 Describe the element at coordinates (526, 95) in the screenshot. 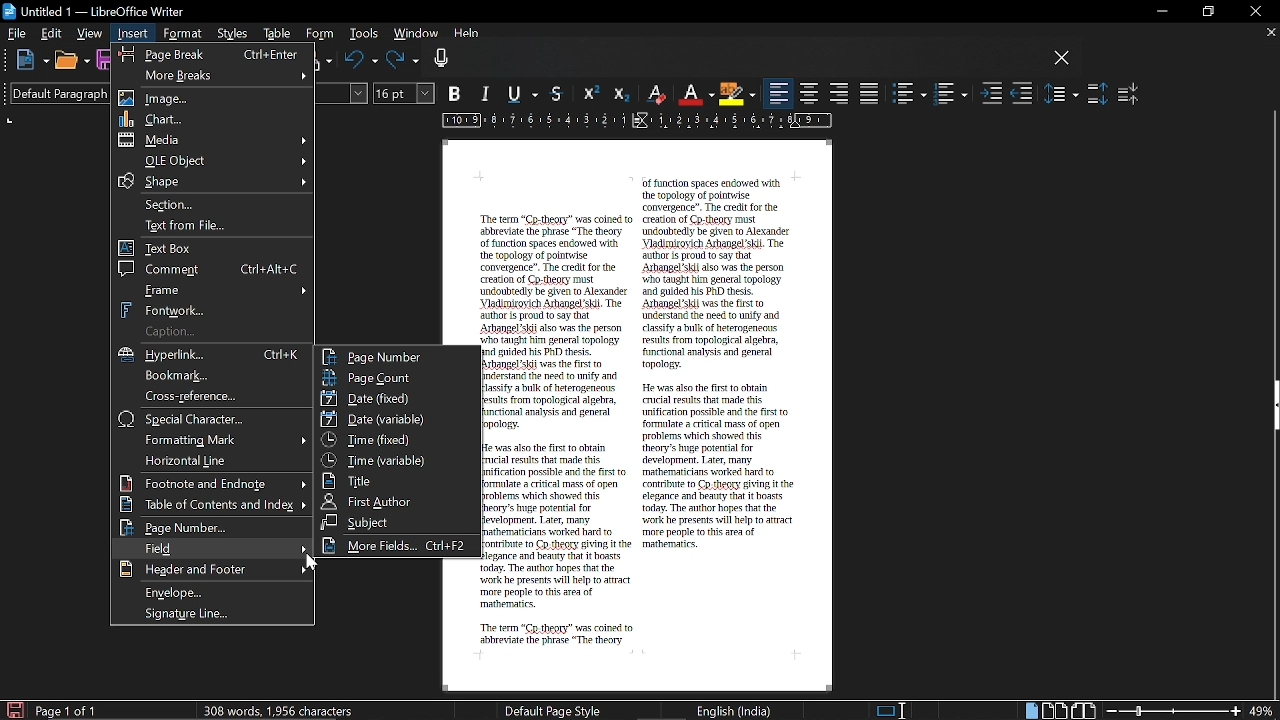

I see `Underline` at that location.